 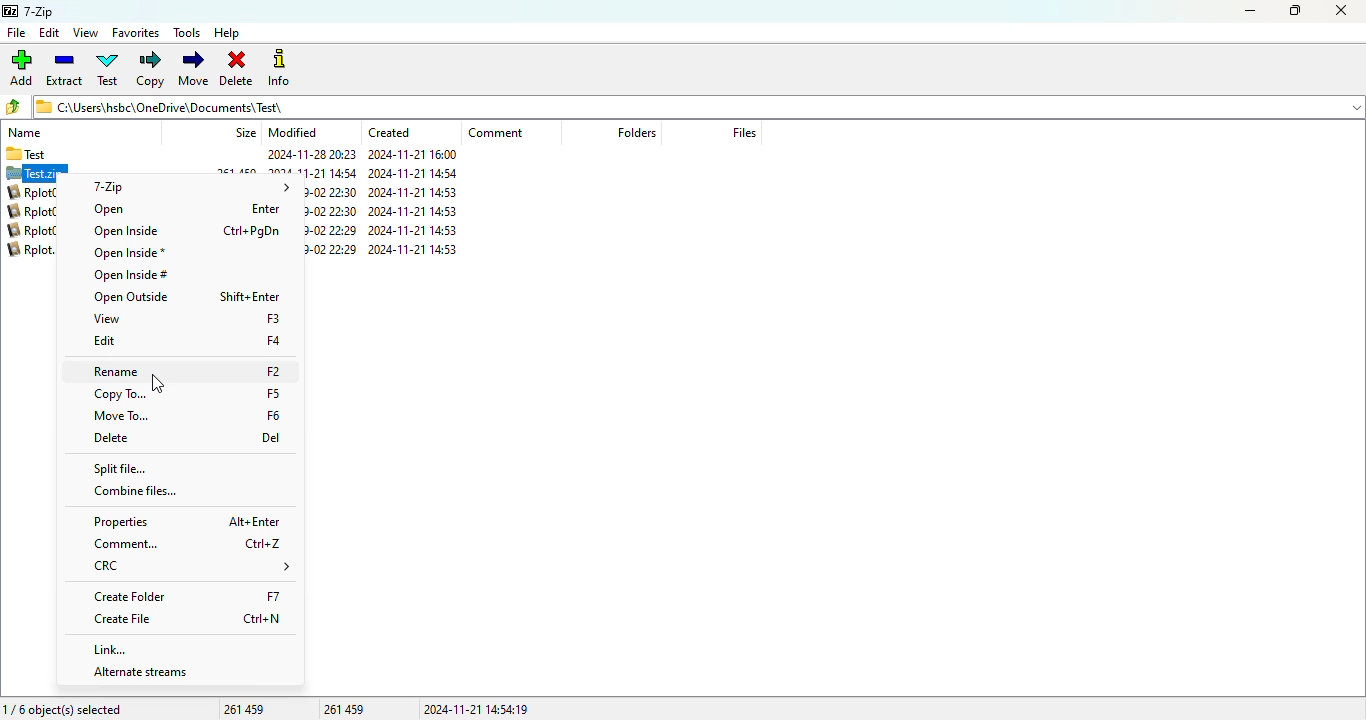 What do you see at coordinates (346, 708) in the screenshot?
I see `261 459` at bounding box center [346, 708].